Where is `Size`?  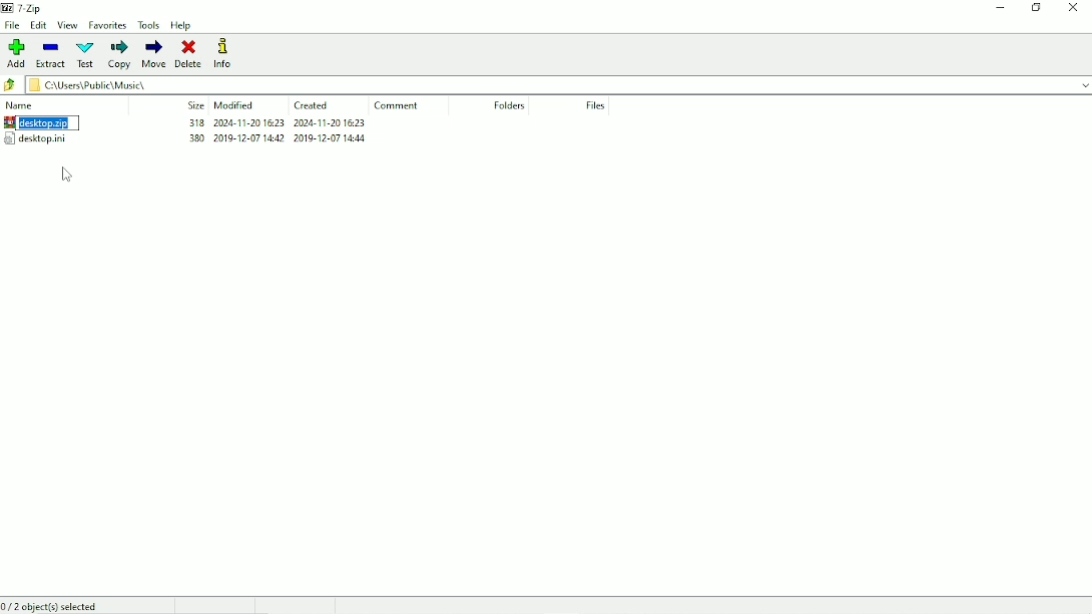 Size is located at coordinates (196, 105).